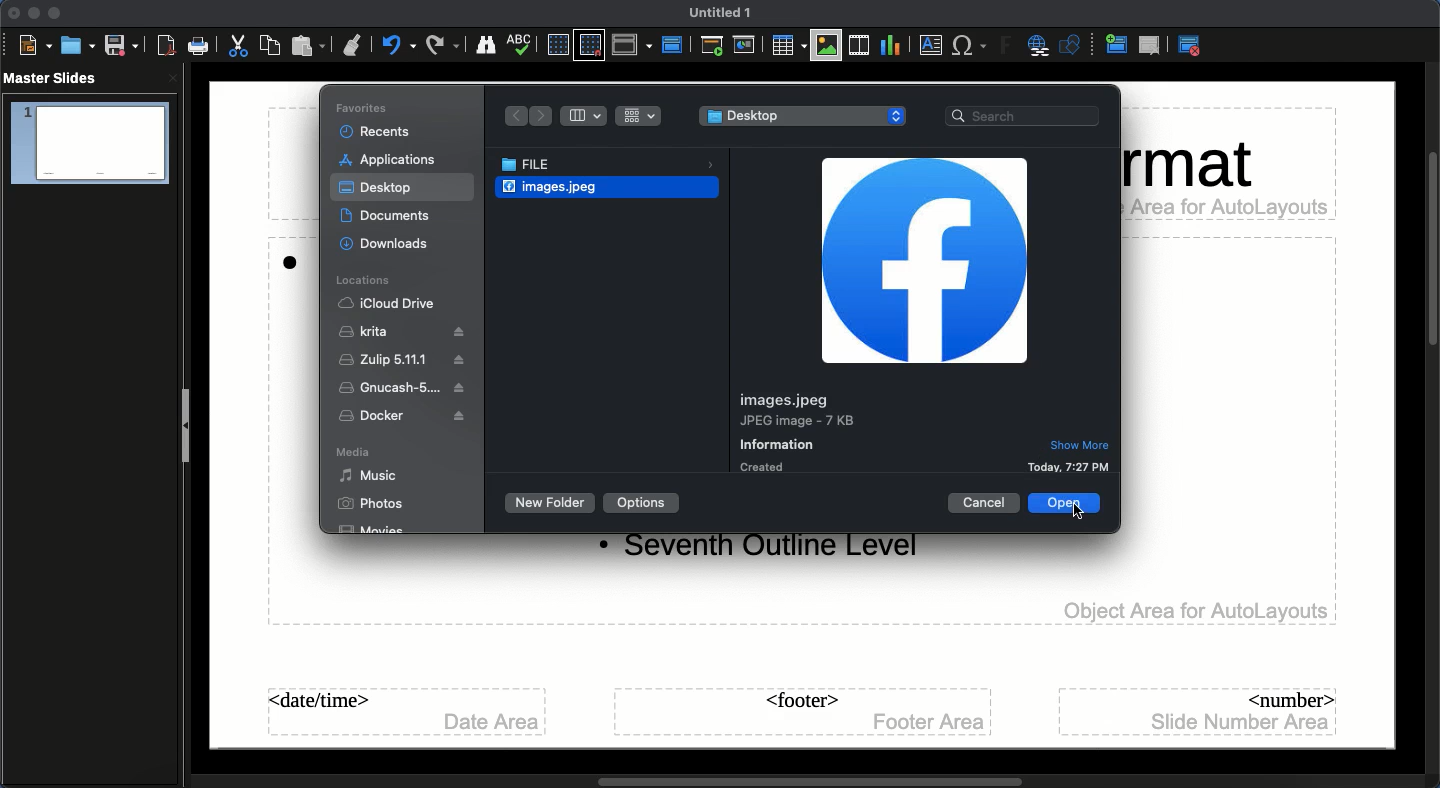 The height and width of the screenshot is (788, 1440). I want to click on Master slide title, so click(922, 261).